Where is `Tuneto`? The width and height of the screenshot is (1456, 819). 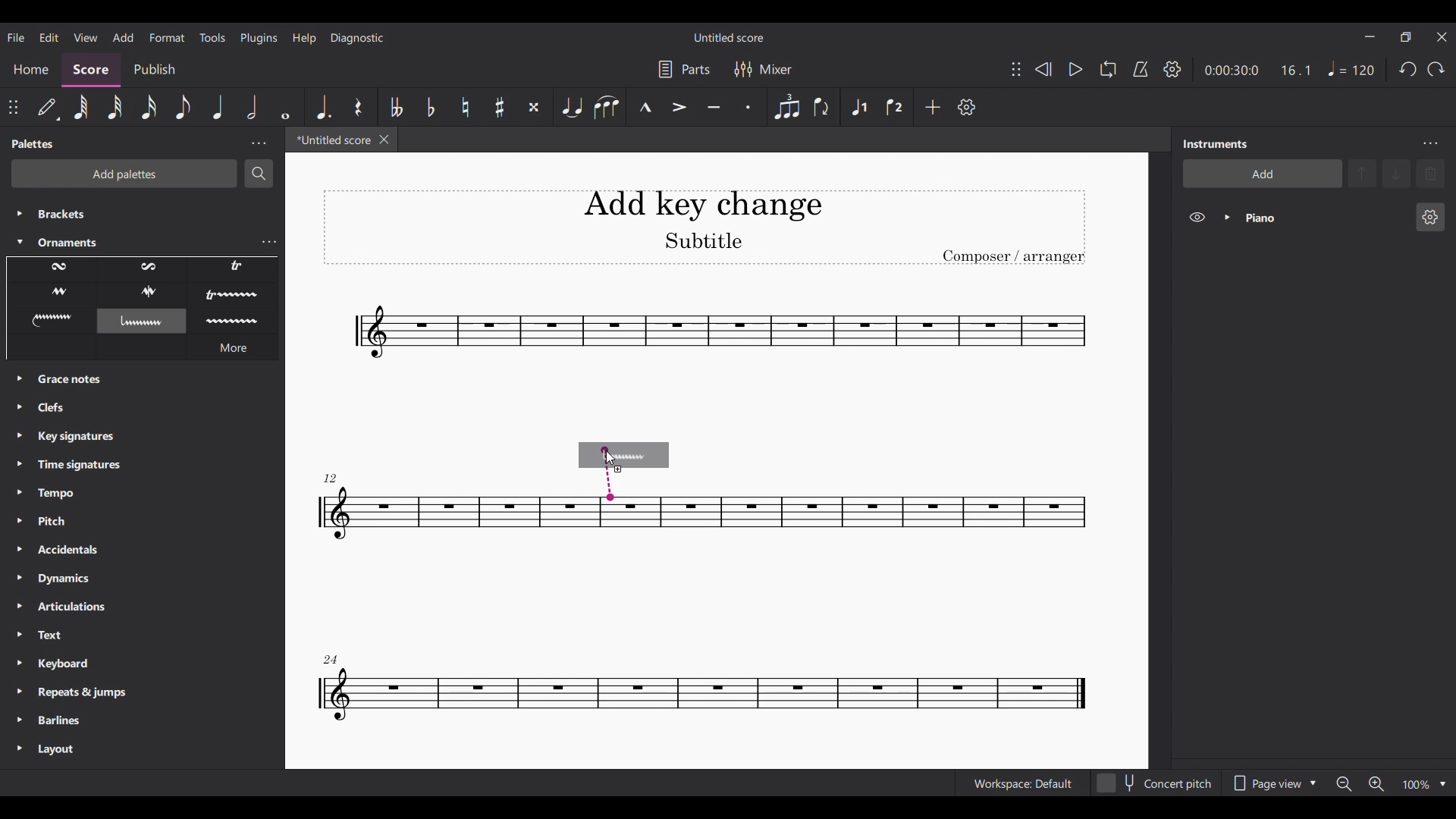
Tuneto is located at coordinates (714, 106).